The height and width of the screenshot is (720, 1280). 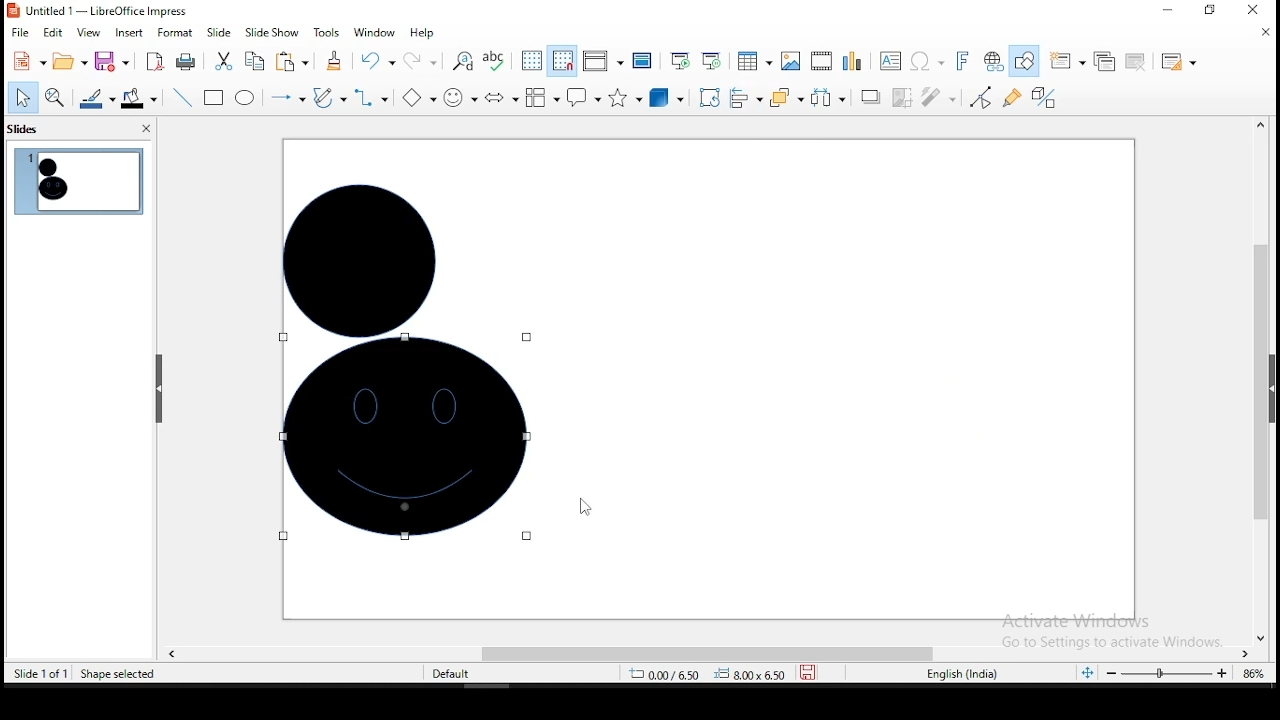 I want to click on delete slide, so click(x=1133, y=60).